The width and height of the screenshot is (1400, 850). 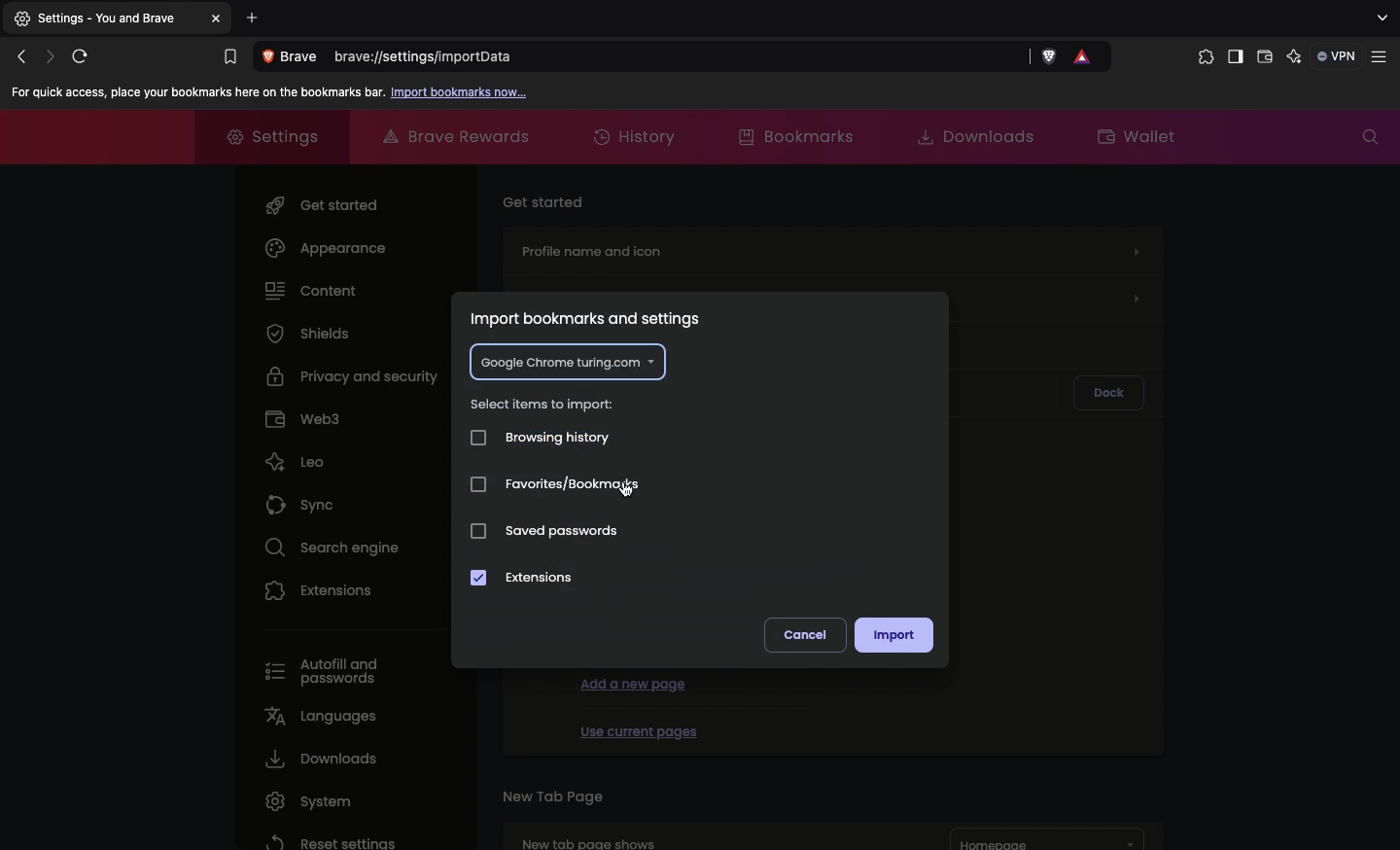 What do you see at coordinates (553, 485) in the screenshot?
I see `Favorites/bookmarks` at bounding box center [553, 485].